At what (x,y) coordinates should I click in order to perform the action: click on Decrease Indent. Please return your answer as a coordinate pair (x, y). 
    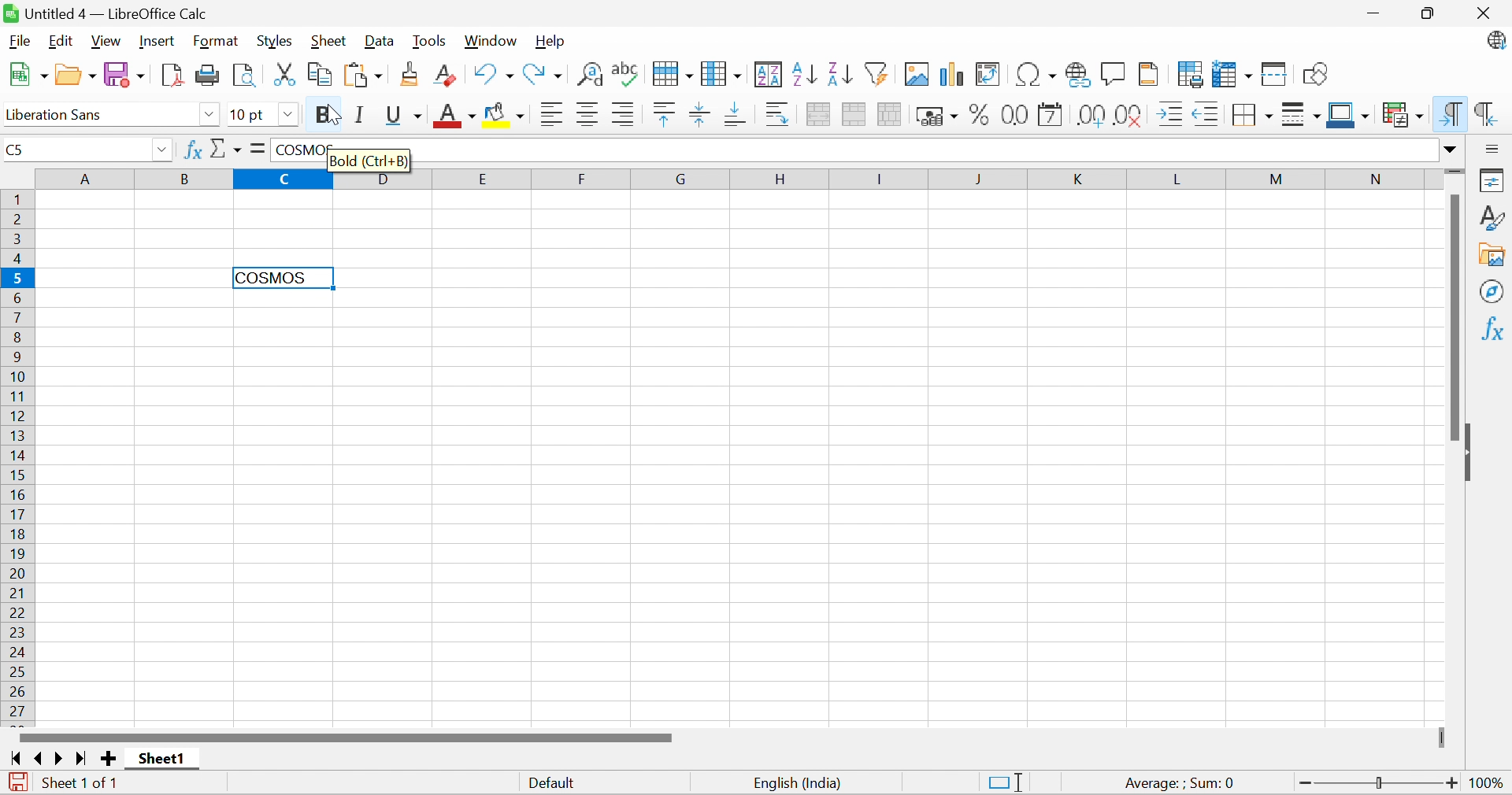
    Looking at the image, I should click on (1206, 115).